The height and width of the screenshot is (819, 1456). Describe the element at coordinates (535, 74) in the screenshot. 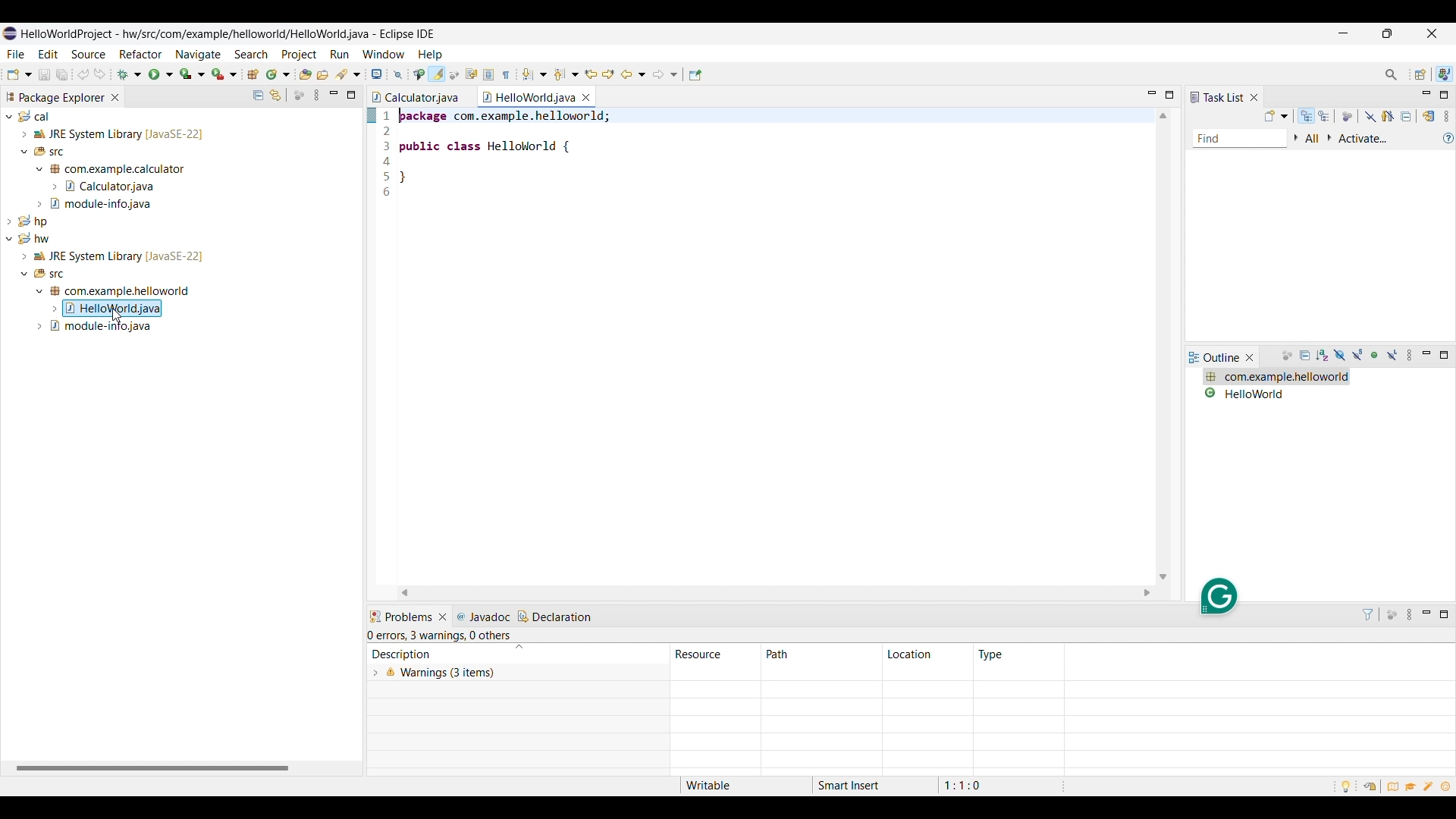

I see `Next annotation options` at that location.